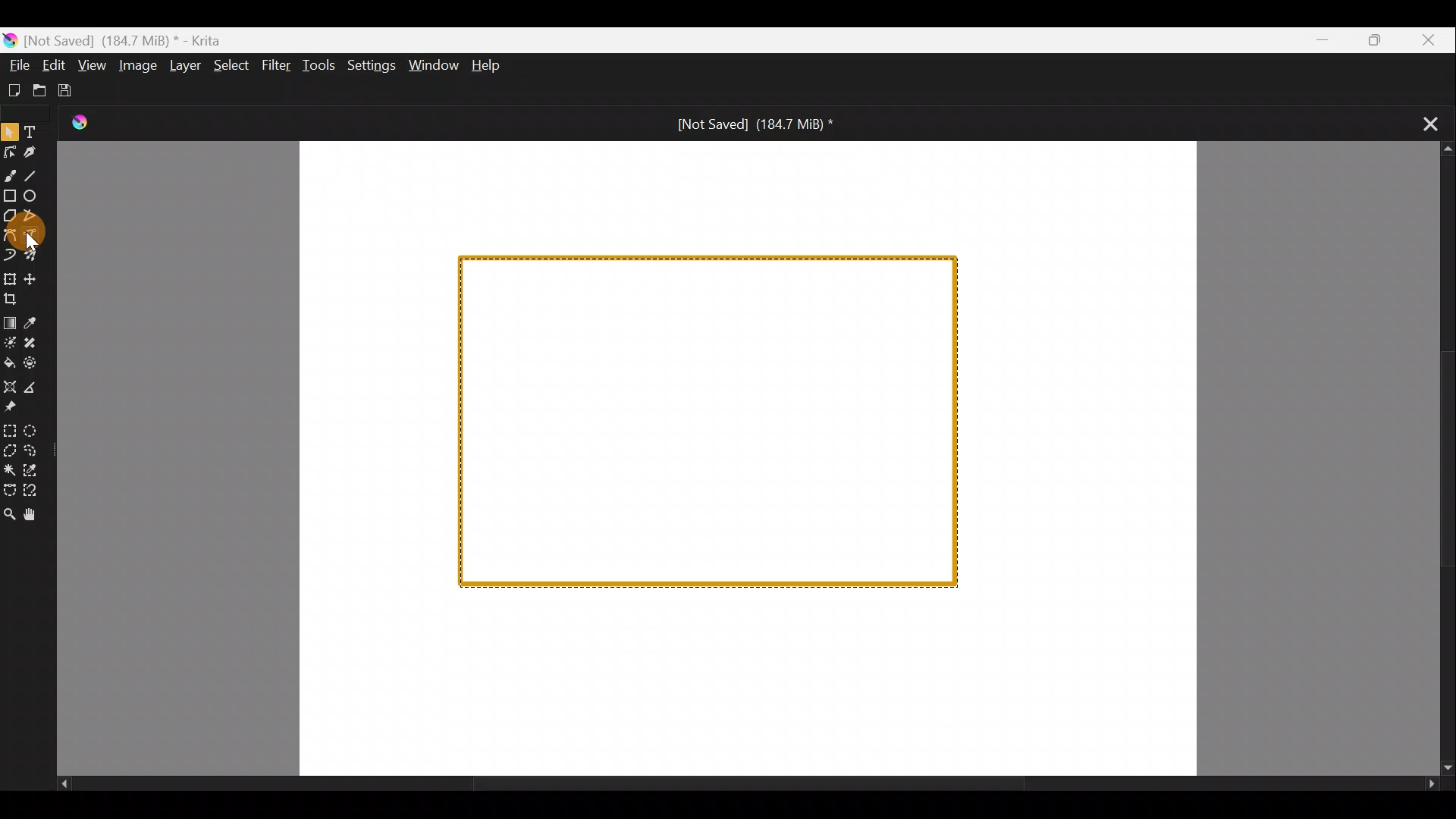 The height and width of the screenshot is (819, 1456). What do you see at coordinates (186, 64) in the screenshot?
I see `Layer` at bounding box center [186, 64].